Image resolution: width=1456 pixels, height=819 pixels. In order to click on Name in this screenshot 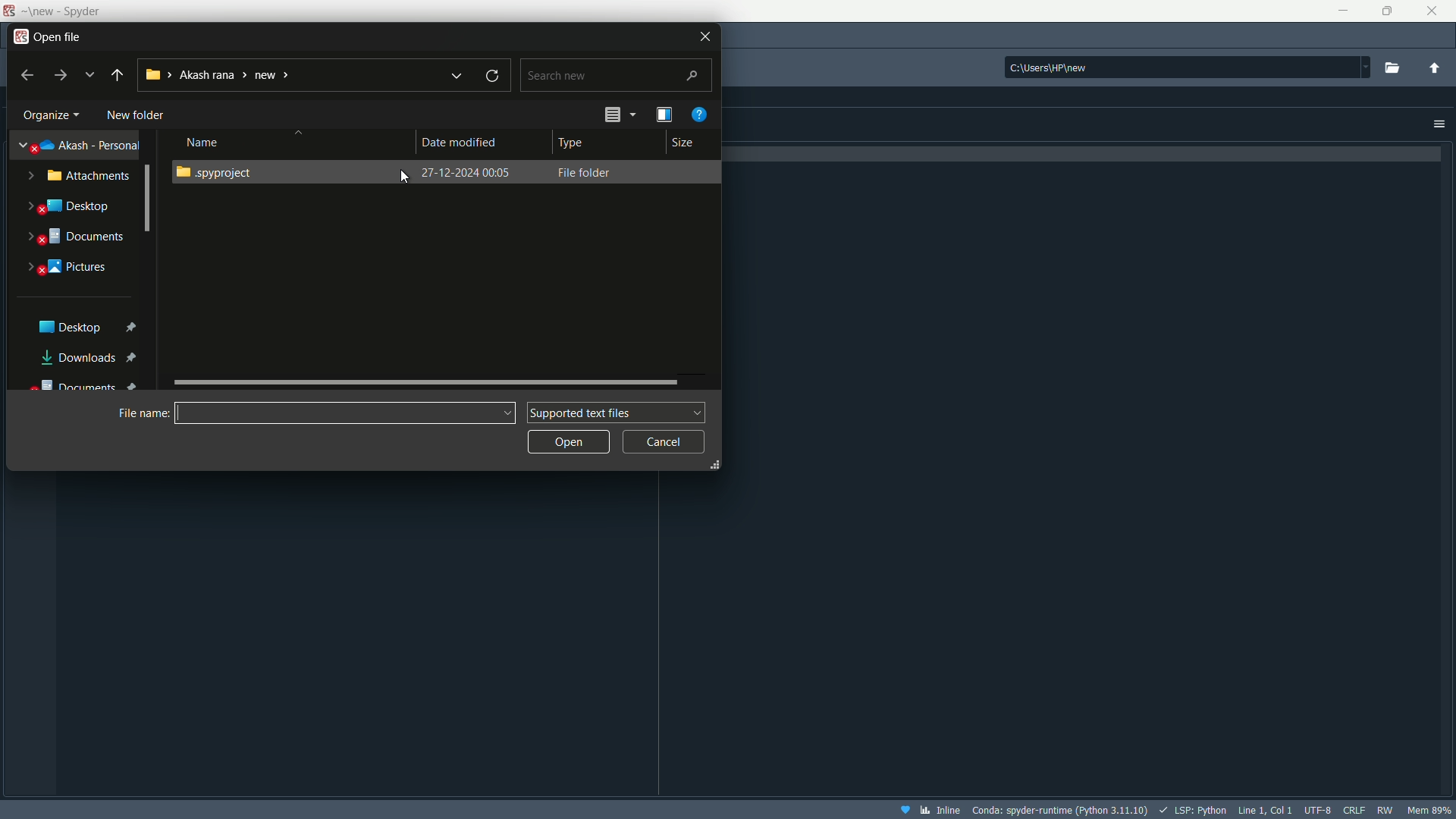, I will do `click(216, 143)`.